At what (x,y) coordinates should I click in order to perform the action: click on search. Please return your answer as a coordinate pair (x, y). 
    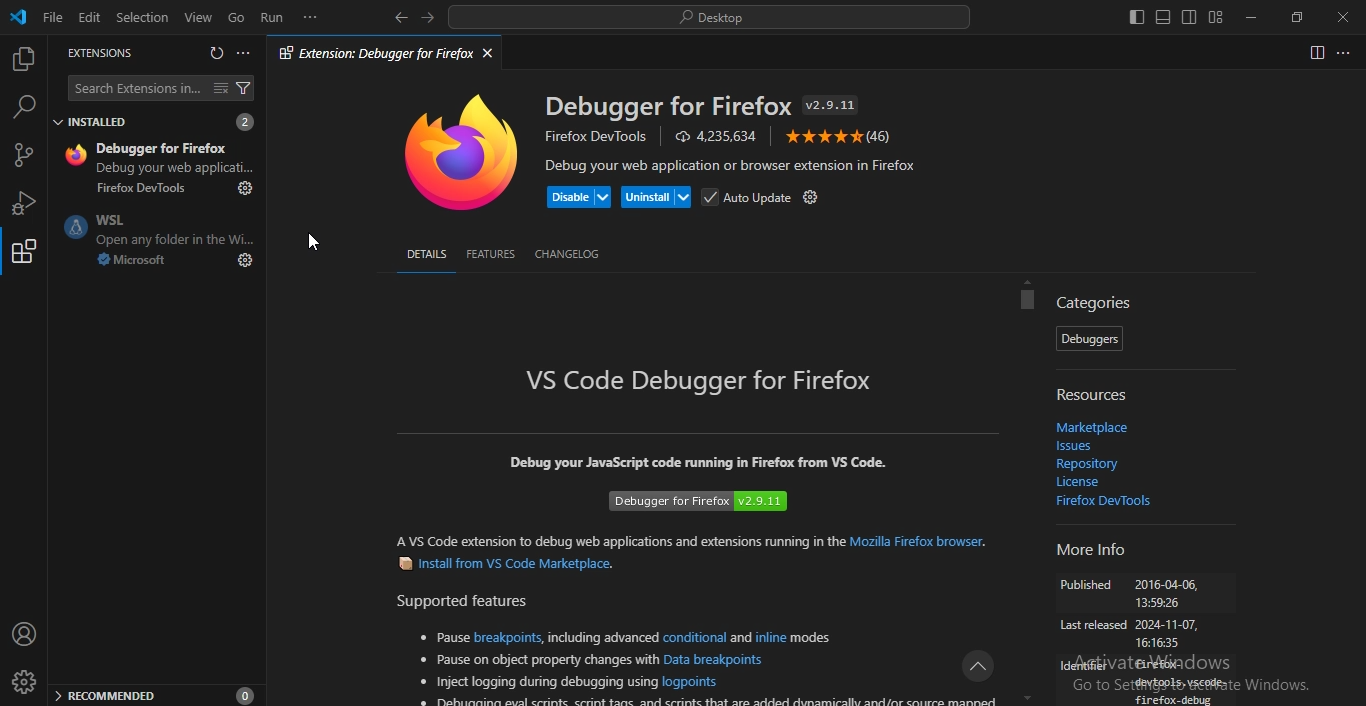
    Looking at the image, I should click on (137, 88).